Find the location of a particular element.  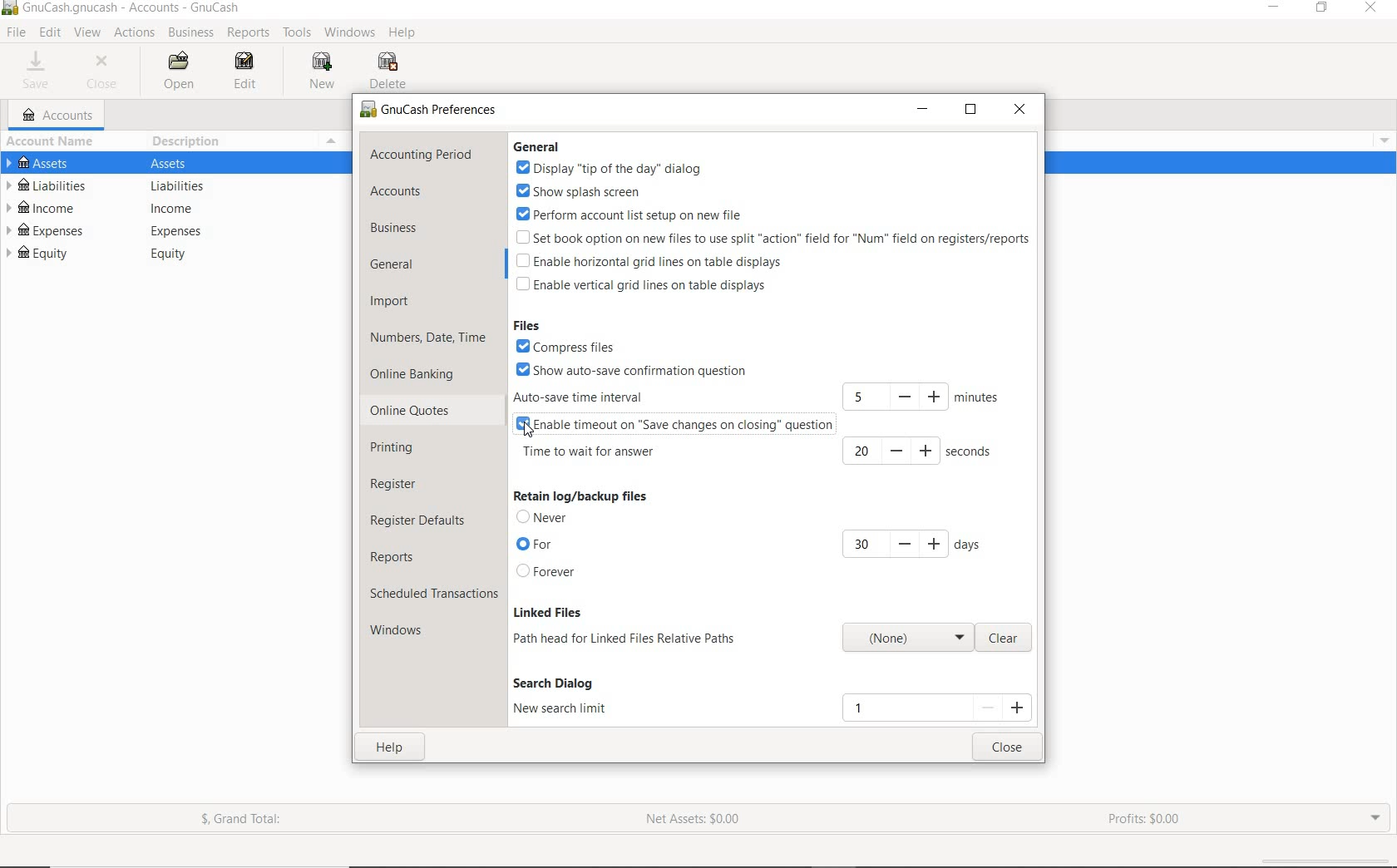

CLOSE is located at coordinates (101, 73).